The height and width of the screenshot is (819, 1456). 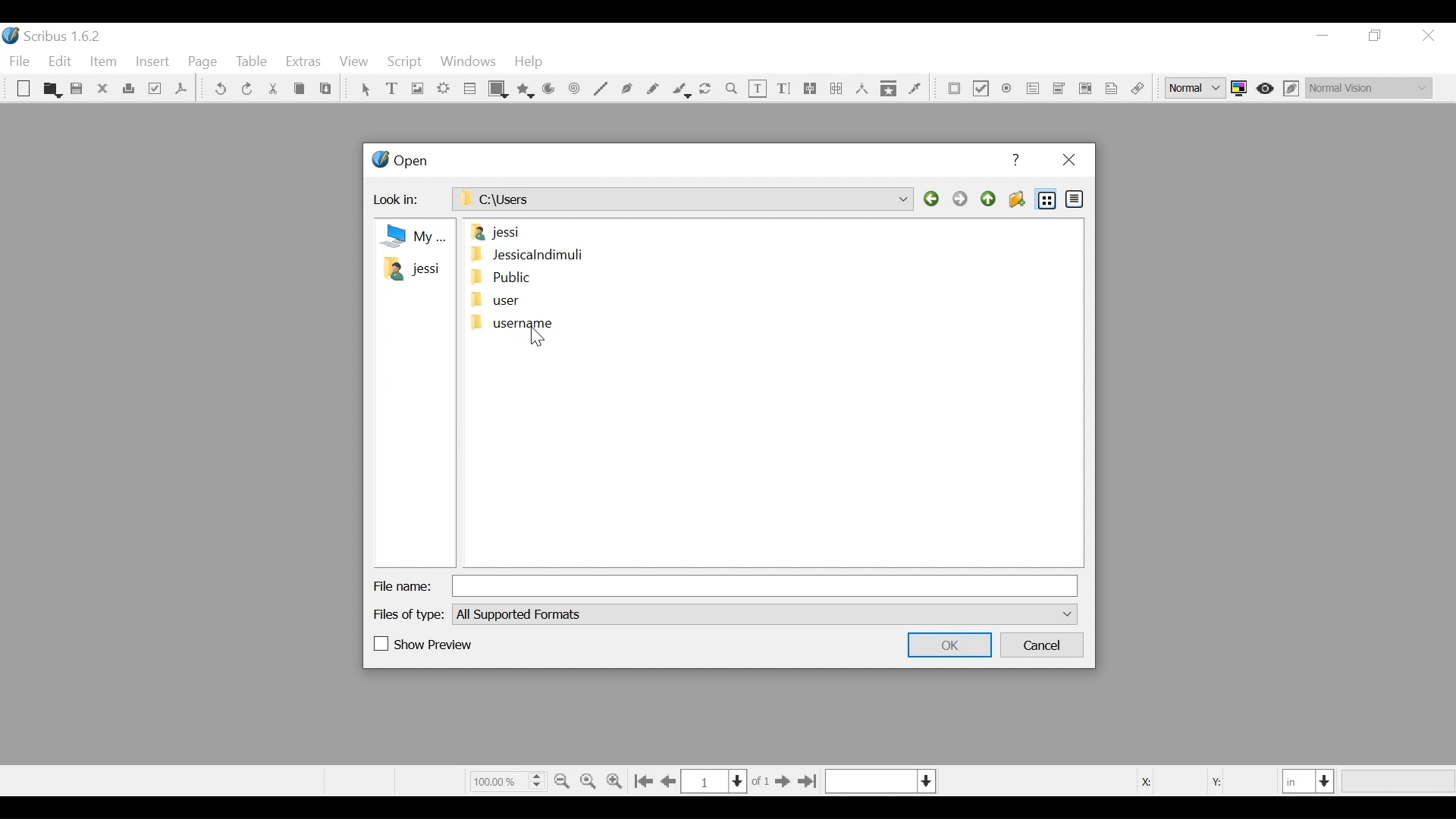 What do you see at coordinates (1086, 88) in the screenshot?
I see `Pdf List Box` at bounding box center [1086, 88].